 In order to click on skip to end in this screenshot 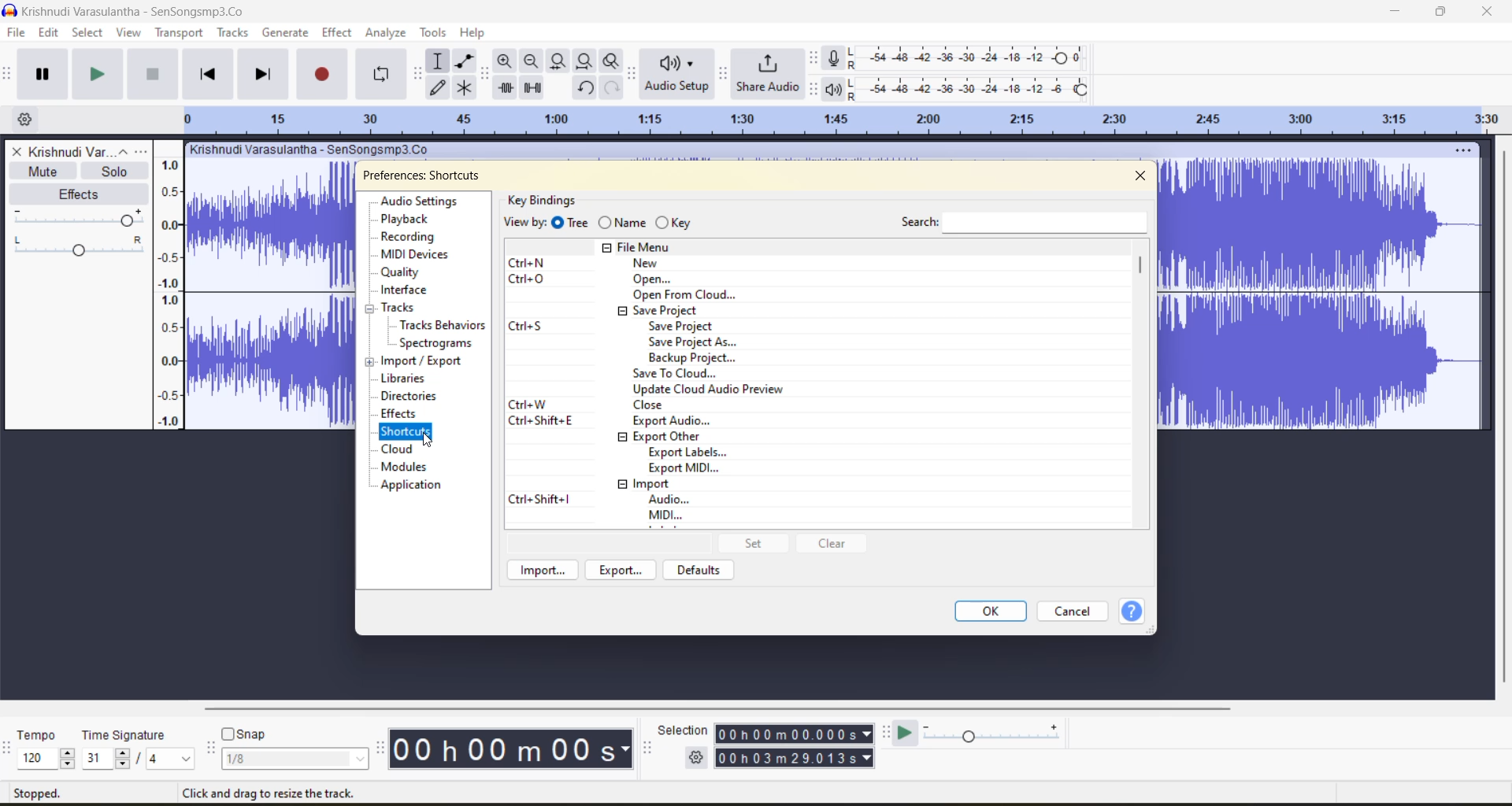, I will do `click(262, 72)`.